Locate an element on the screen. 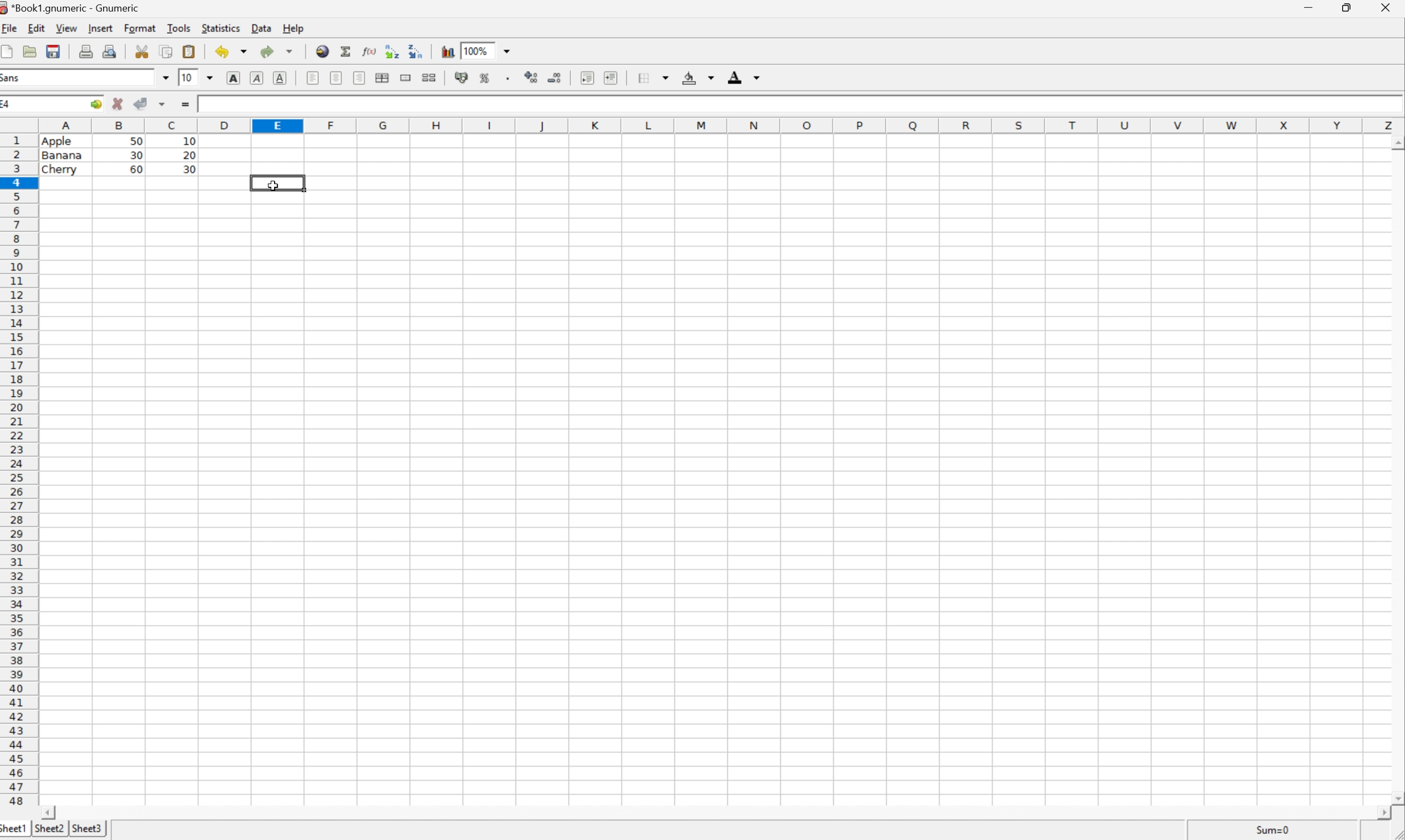 The image size is (1405, 840). sheet1 is located at coordinates (13, 830).